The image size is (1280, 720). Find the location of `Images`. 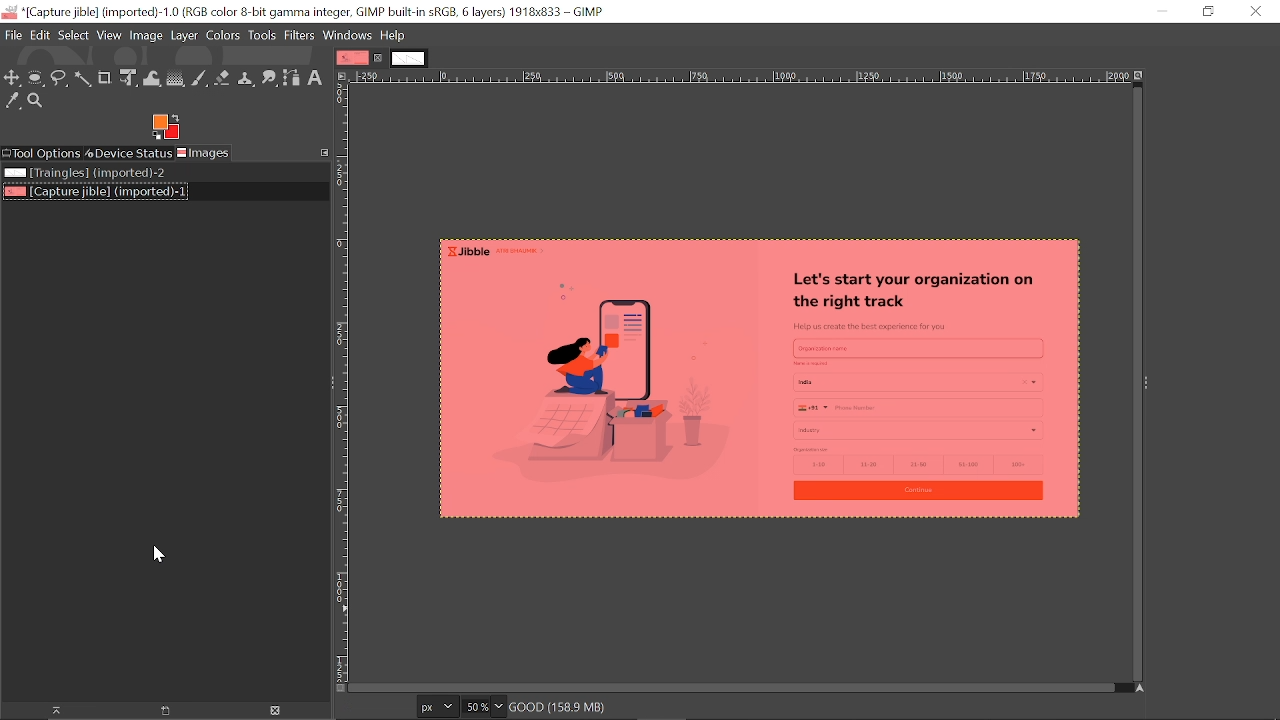

Images is located at coordinates (208, 154).